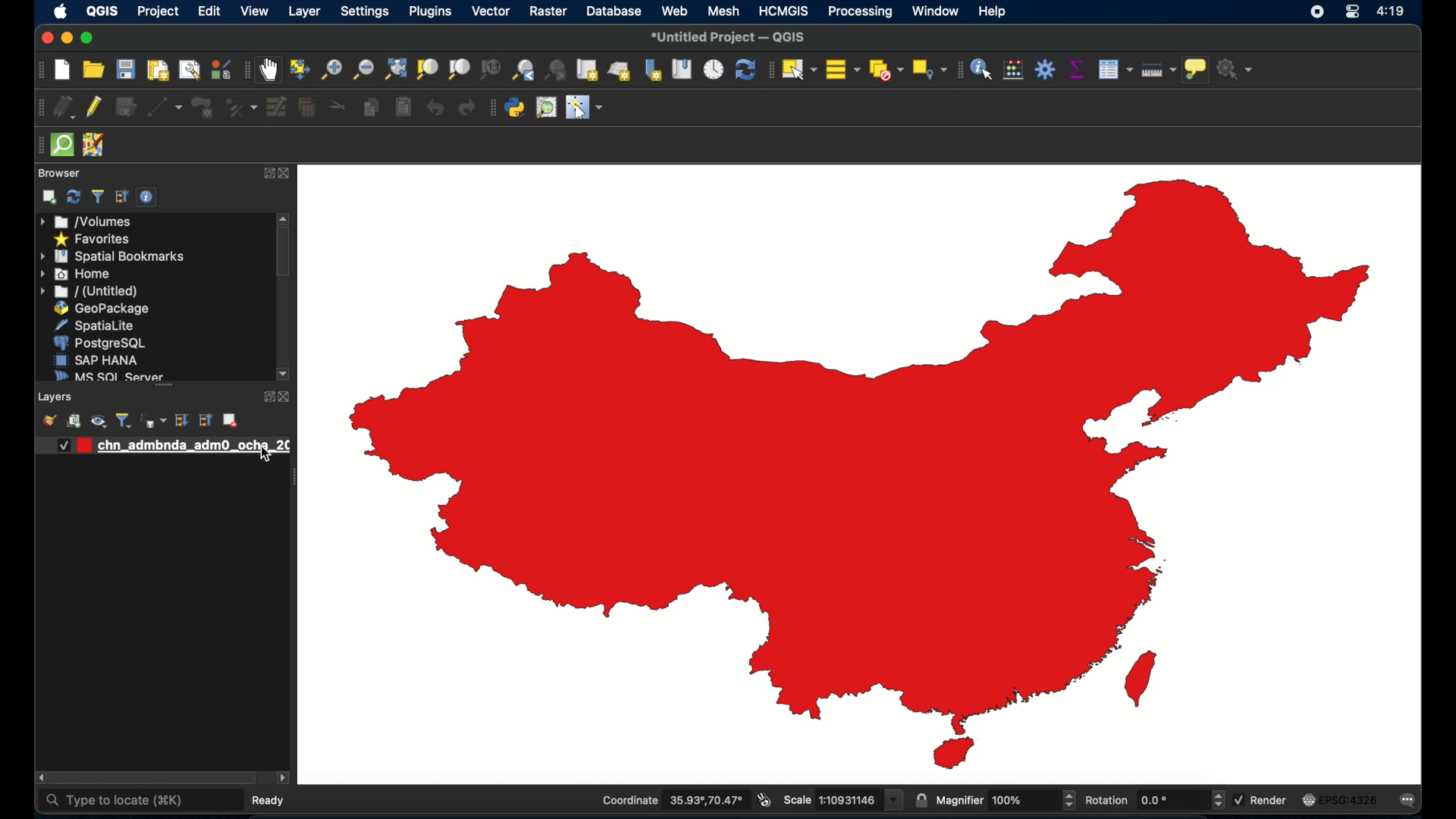 The height and width of the screenshot is (819, 1456). Describe the element at coordinates (102, 309) in the screenshot. I see `geopackage` at that location.